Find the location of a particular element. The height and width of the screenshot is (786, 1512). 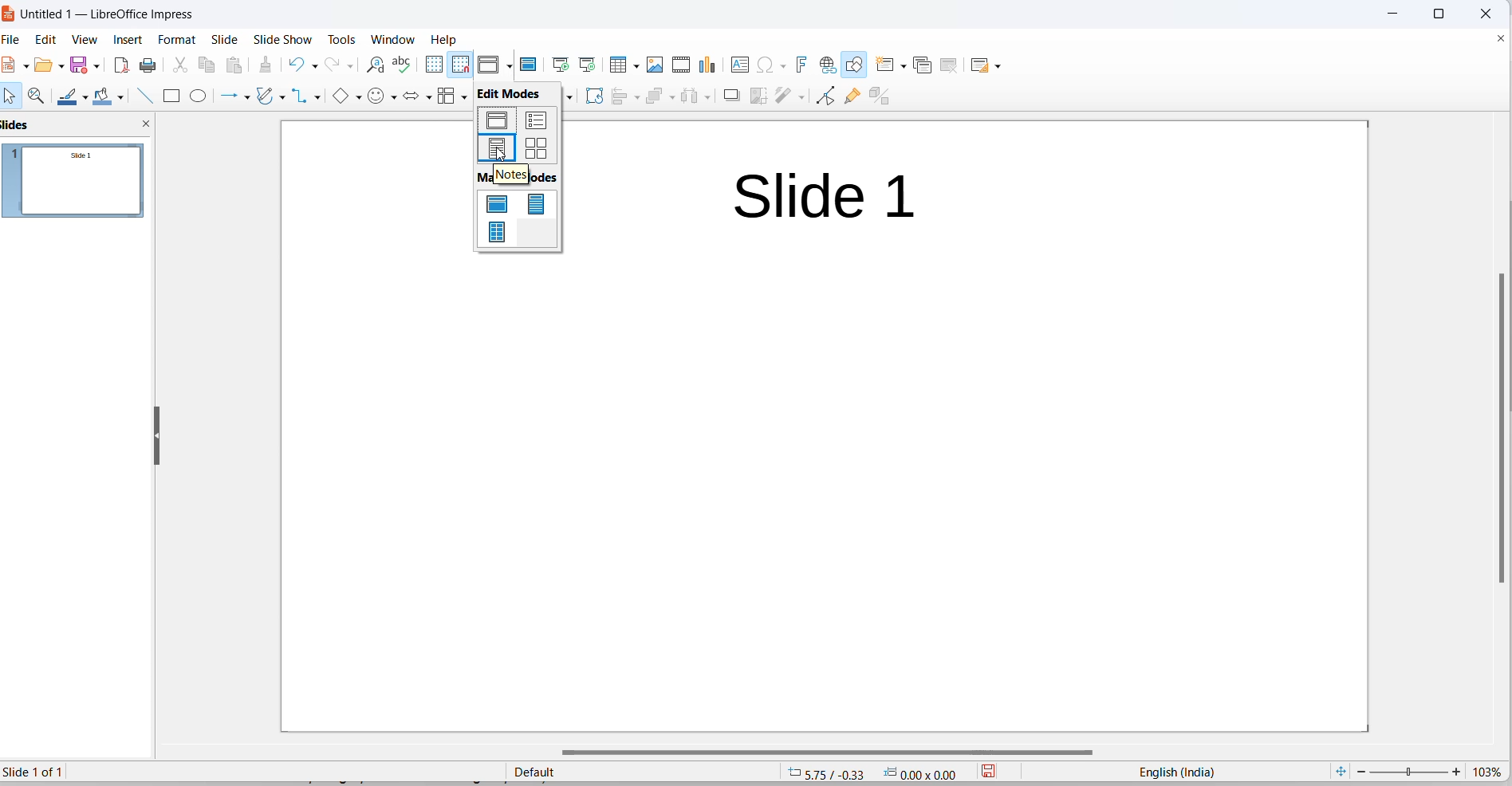

line colors is located at coordinates (69, 98).